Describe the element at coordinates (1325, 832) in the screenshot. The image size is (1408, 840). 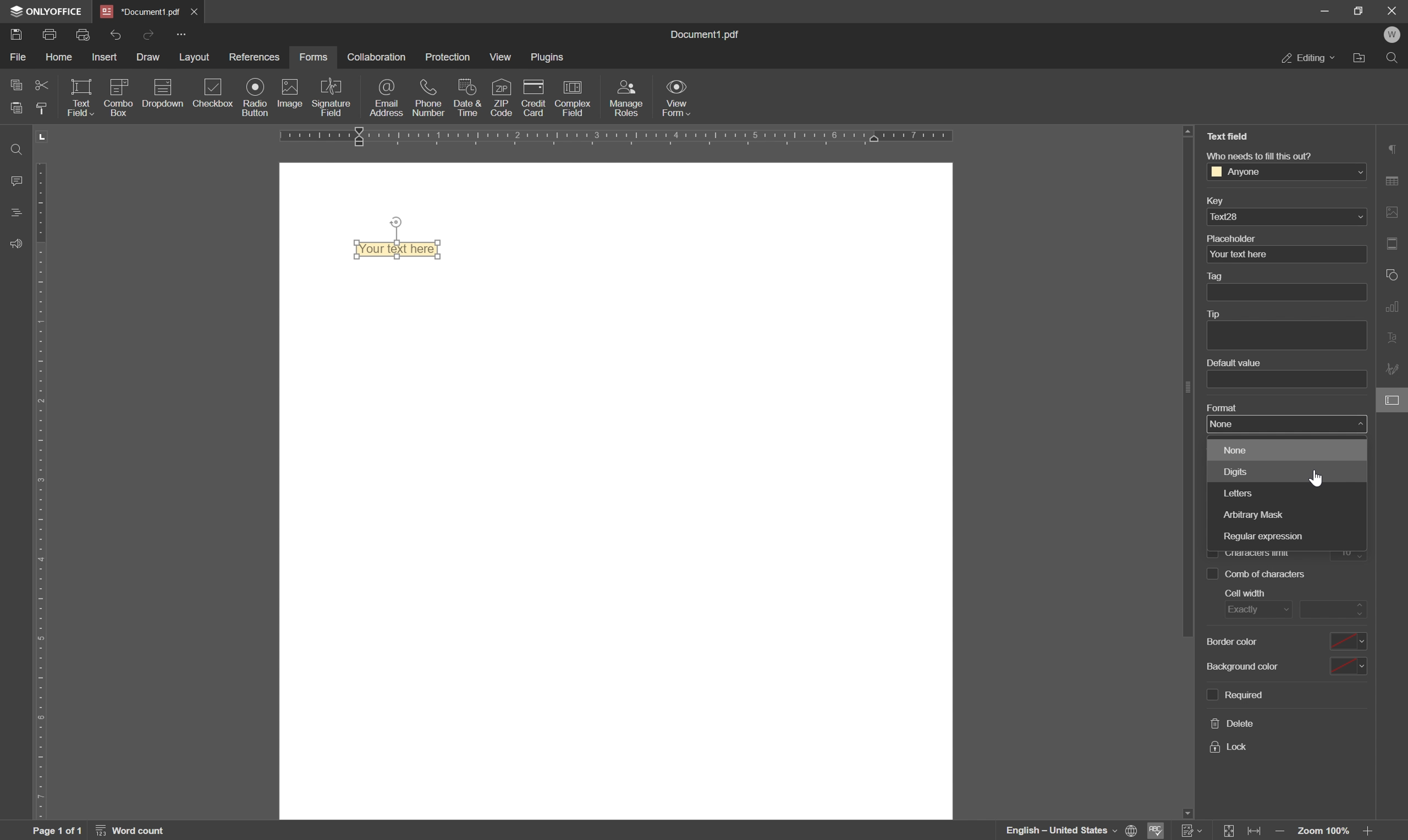
I see `zoom 100%` at that location.